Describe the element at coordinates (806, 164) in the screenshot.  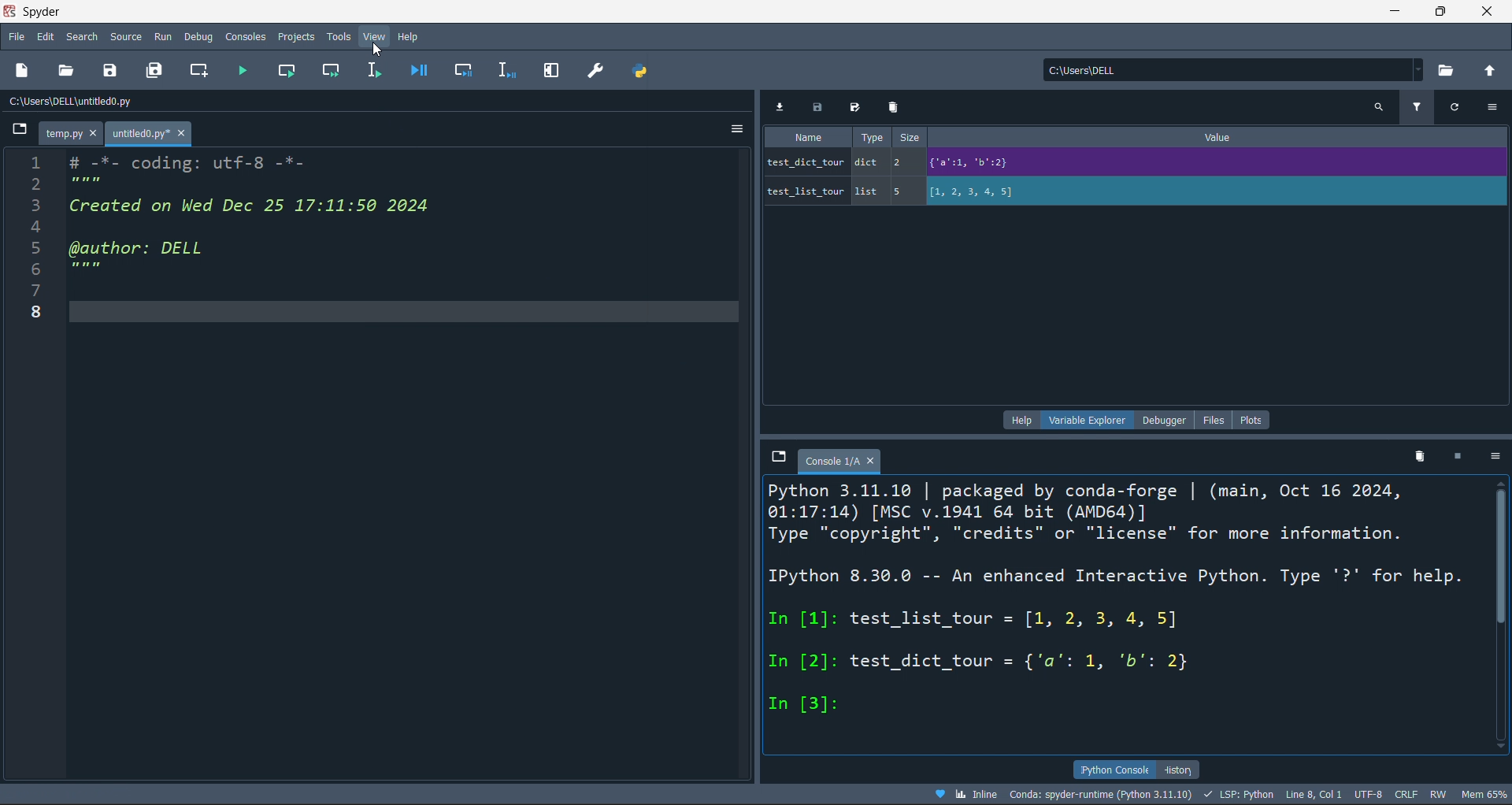
I see `variable` at that location.